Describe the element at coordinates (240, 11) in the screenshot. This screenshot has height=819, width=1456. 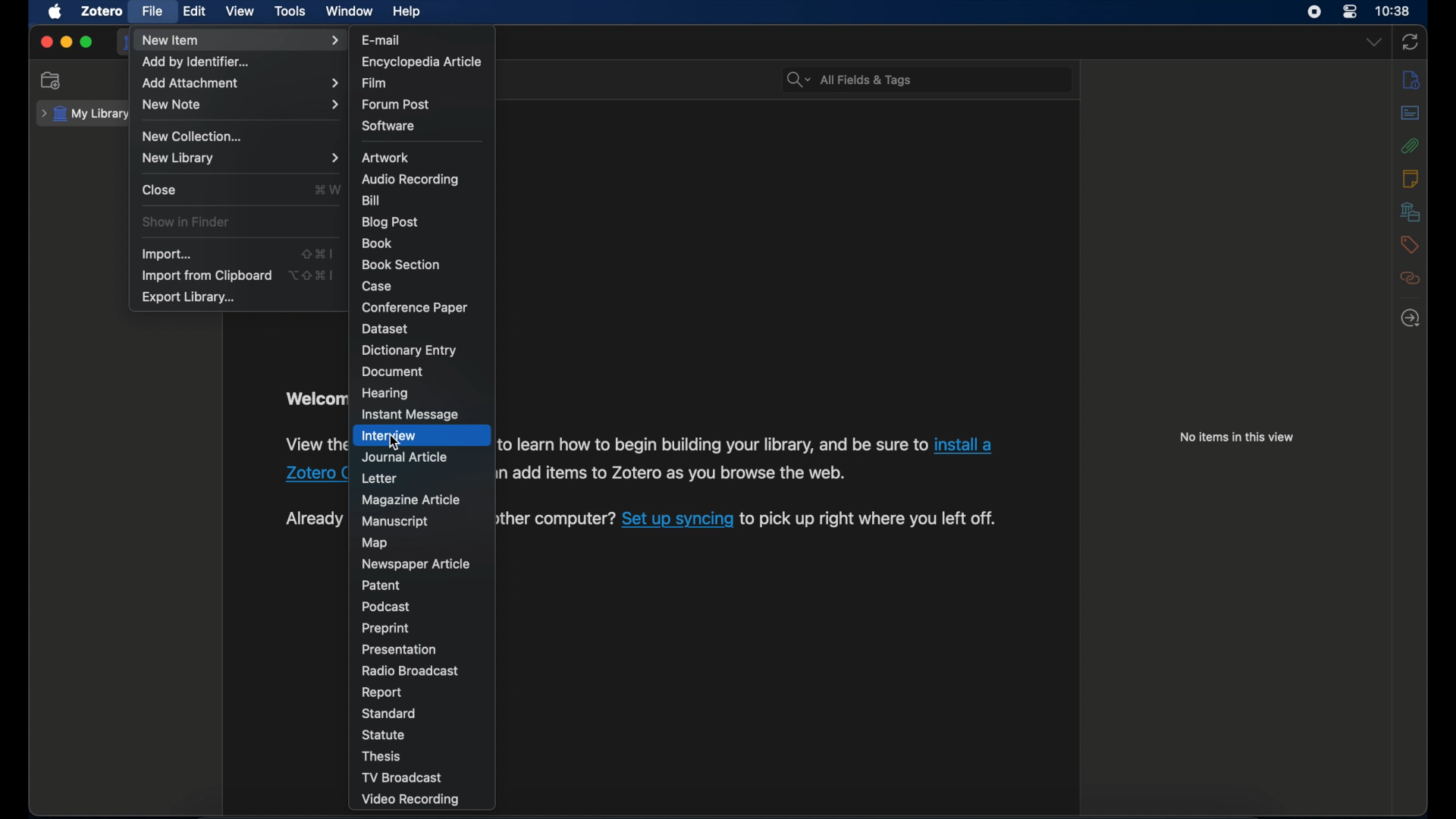
I see `view` at that location.